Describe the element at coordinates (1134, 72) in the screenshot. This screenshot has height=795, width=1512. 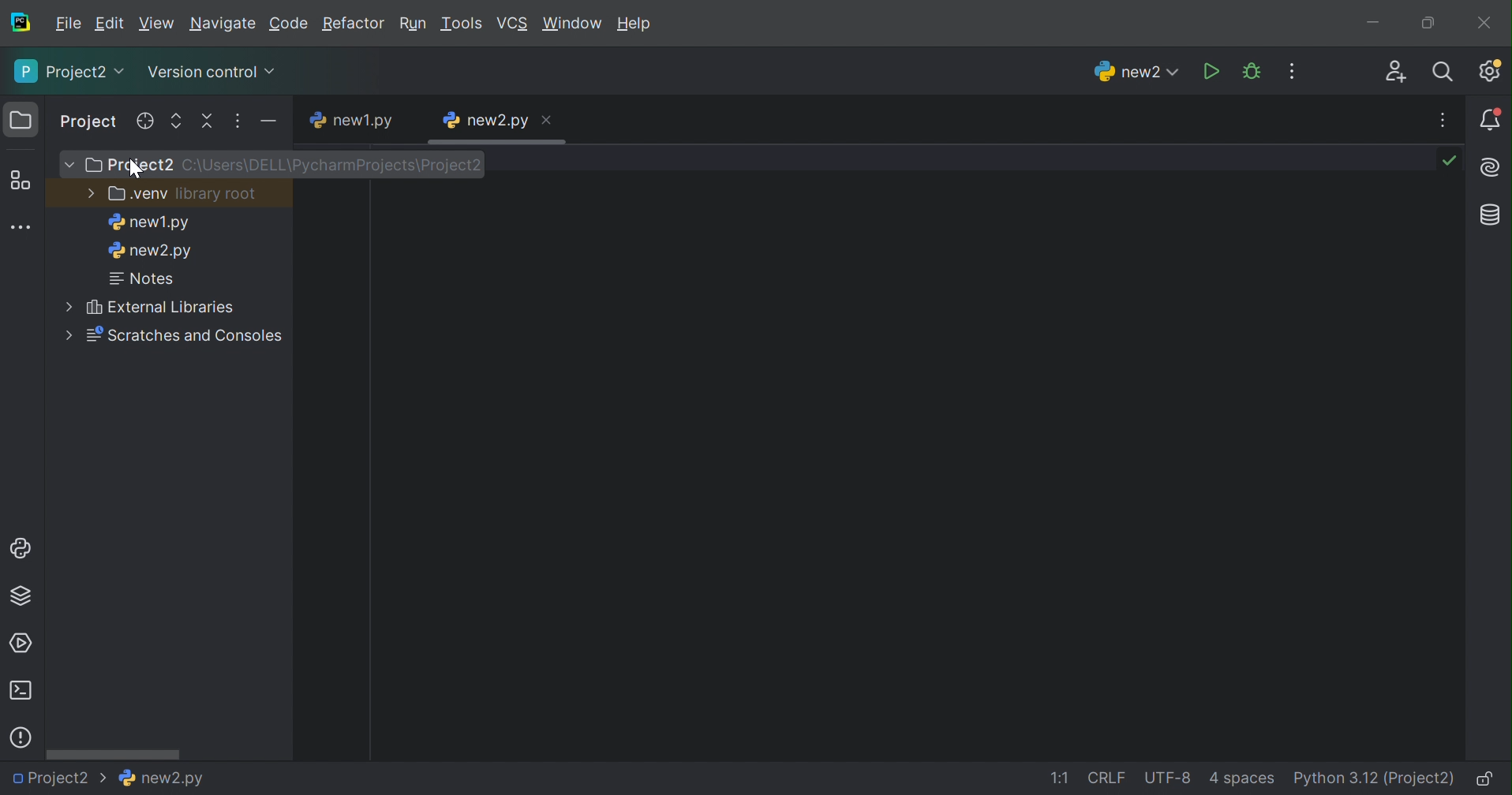
I see `new2` at that location.